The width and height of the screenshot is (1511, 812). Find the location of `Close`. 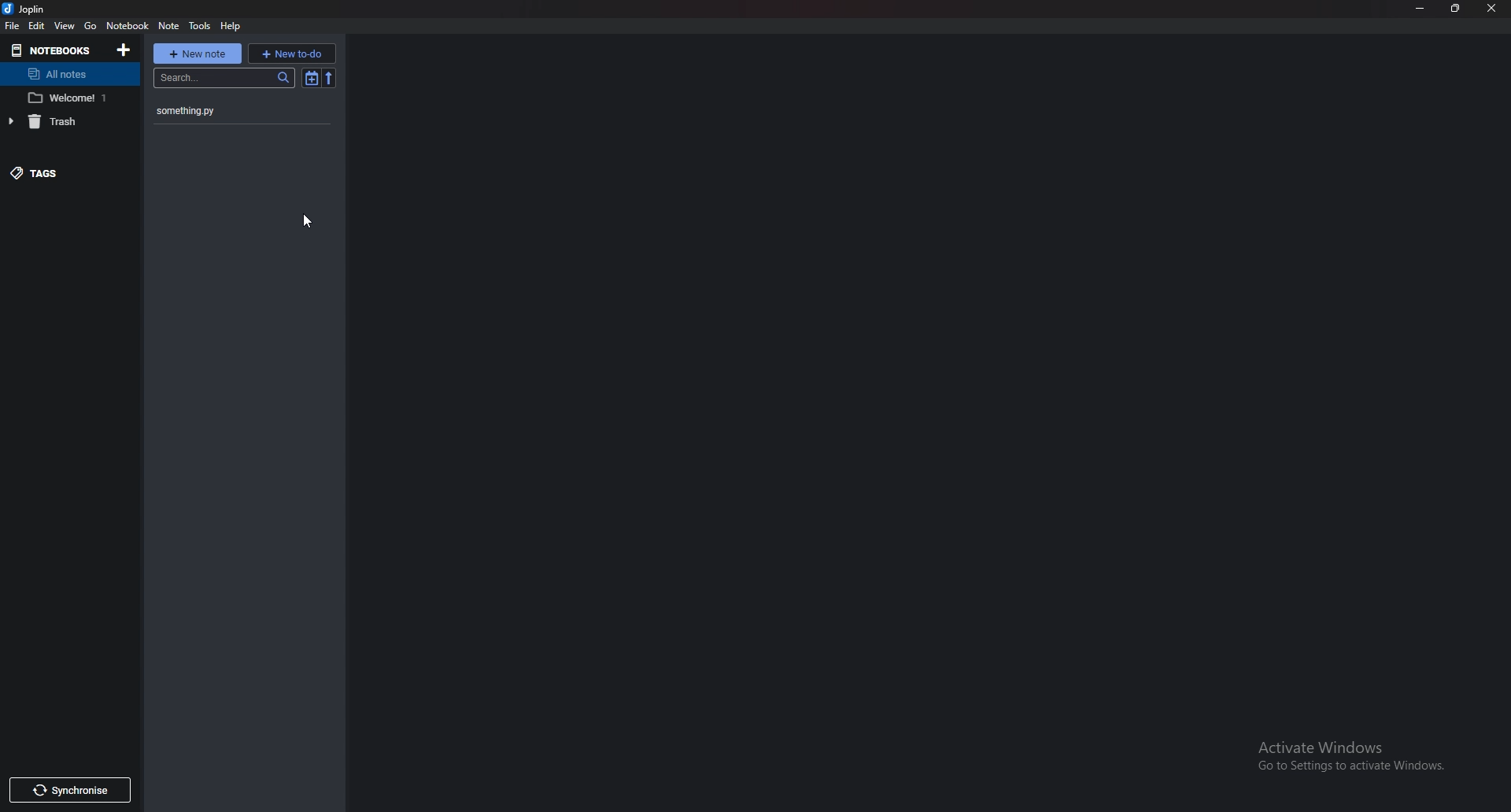

Close is located at coordinates (1490, 8).